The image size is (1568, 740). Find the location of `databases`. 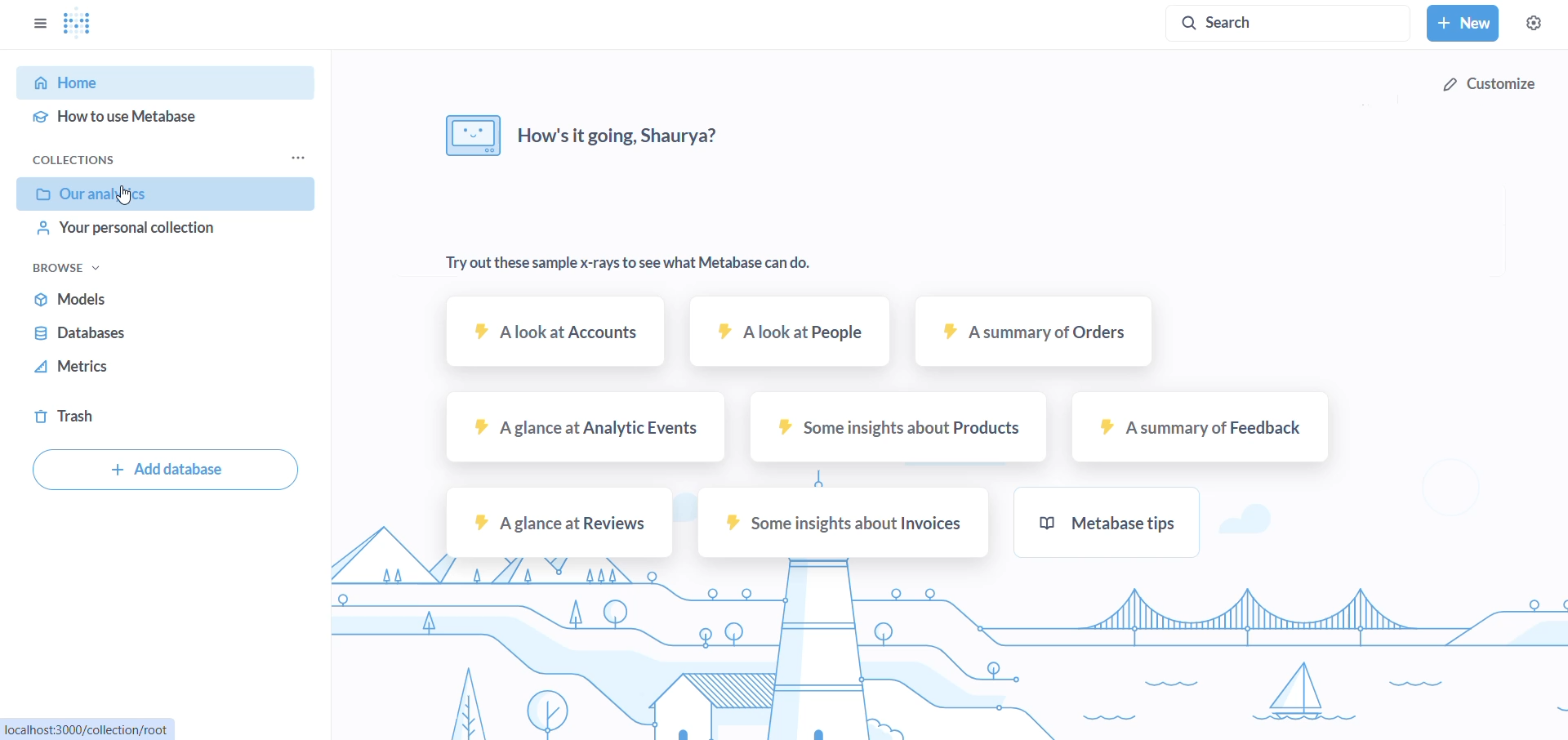

databases is located at coordinates (158, 339).